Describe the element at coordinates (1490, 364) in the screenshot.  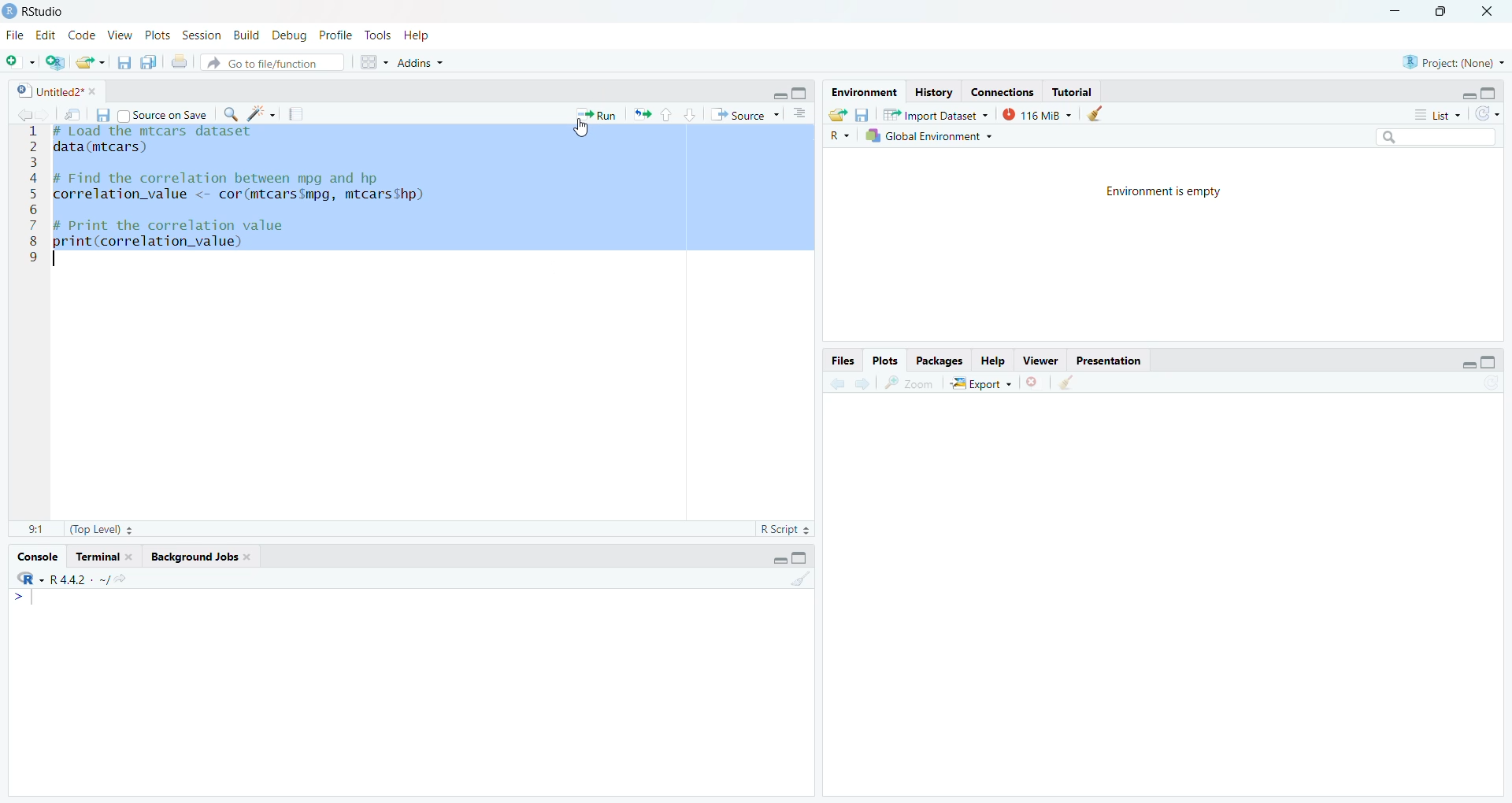
I see `Maximize/Restore` at that location.